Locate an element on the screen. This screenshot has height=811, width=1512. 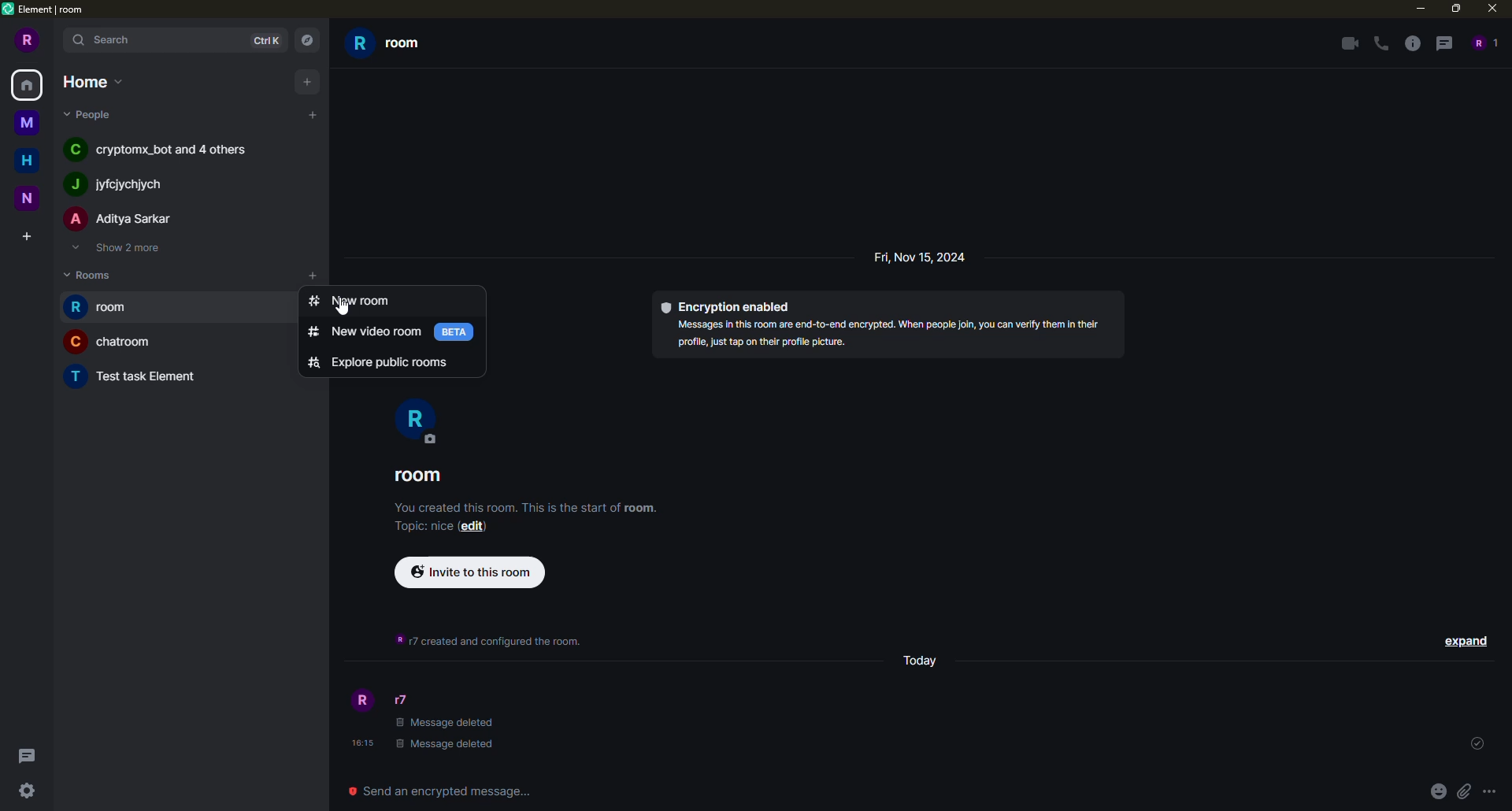
room is located at coordinates (419, 475).